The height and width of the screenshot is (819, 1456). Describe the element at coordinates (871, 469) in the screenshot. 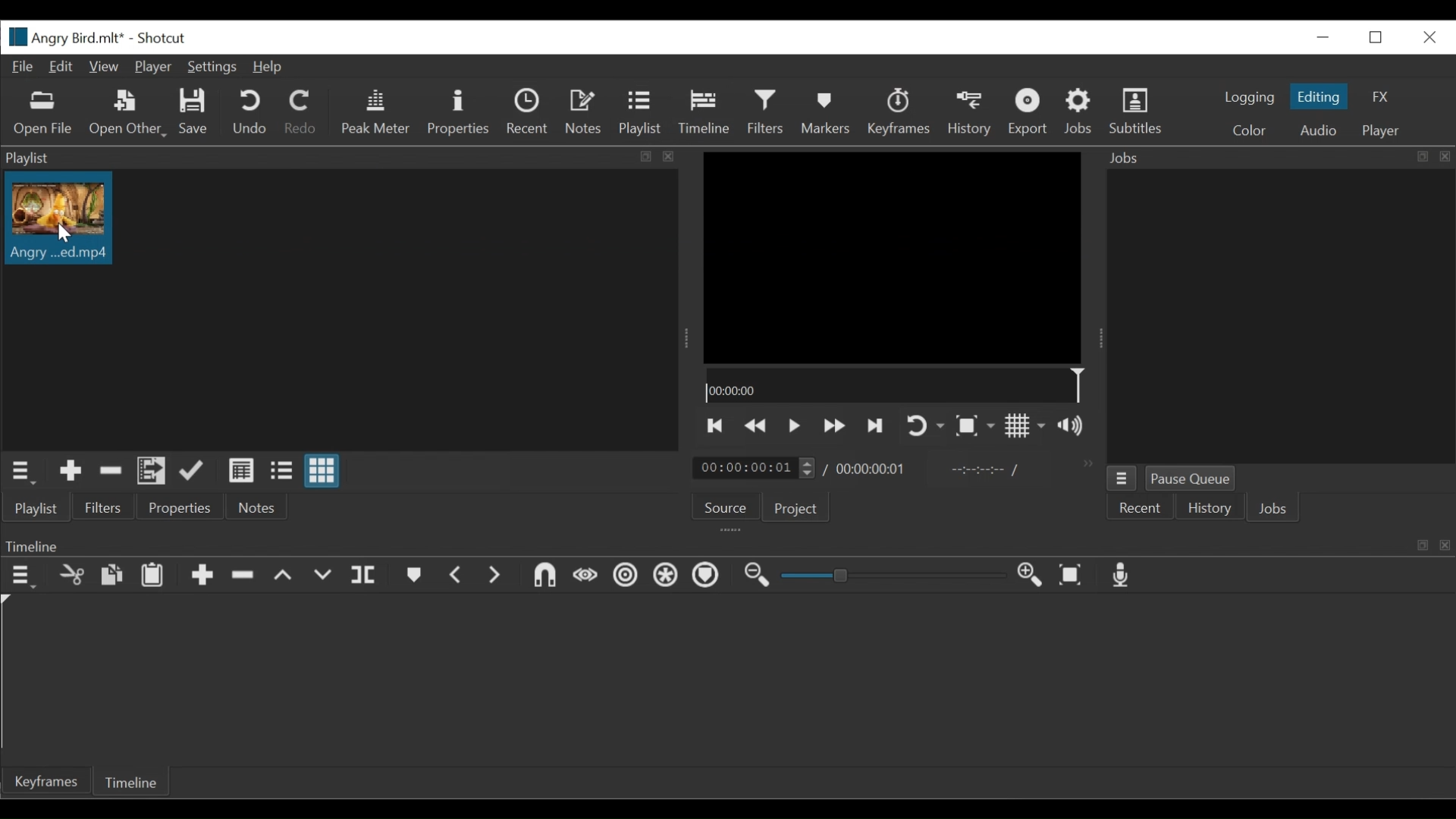

I see `Total duration` at that location.